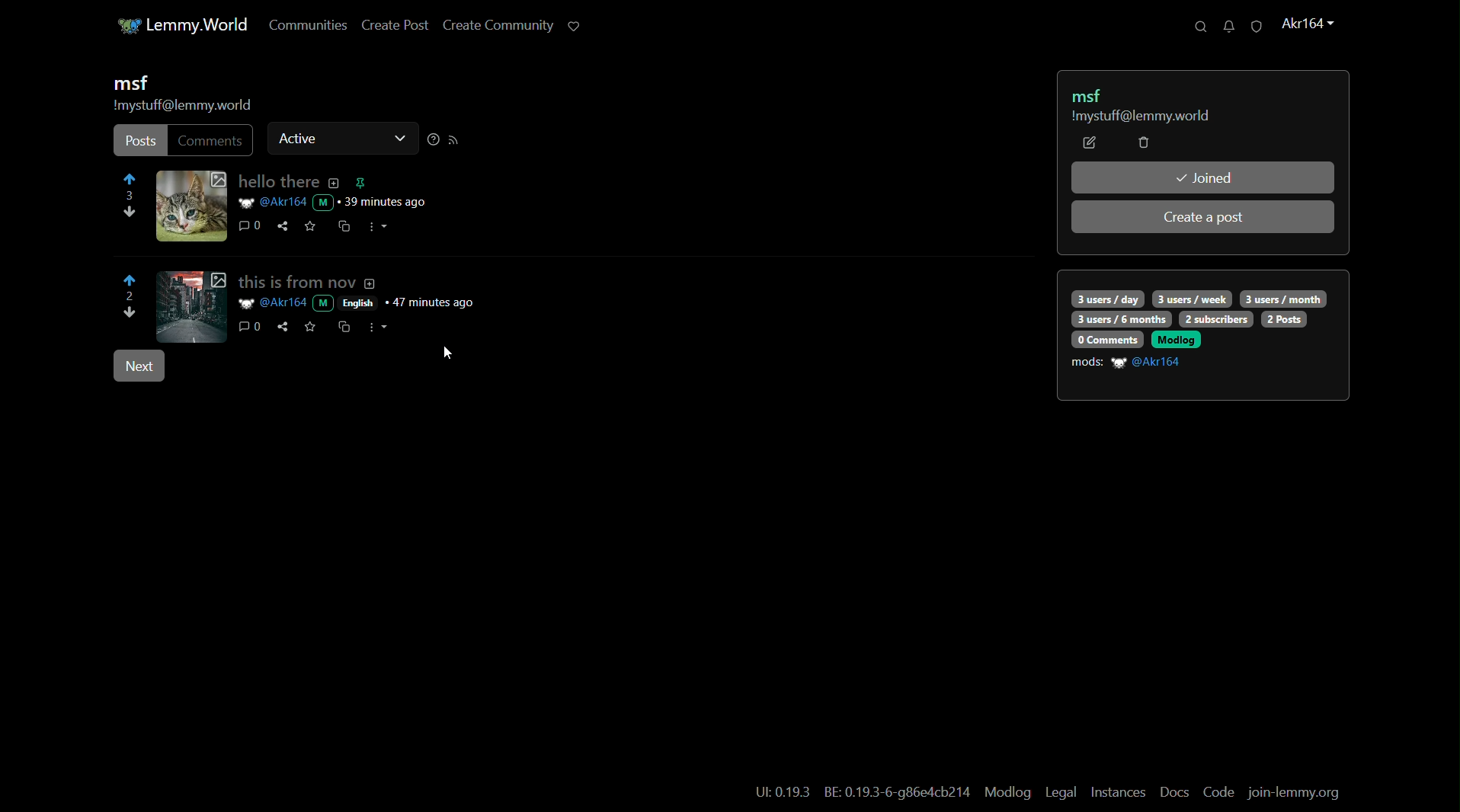 The height and width of the screenshot is (812, 1460). What do you see at coordinates (493, 27) in the screenshot?
I see `create community` at bounding box center [493, 27].